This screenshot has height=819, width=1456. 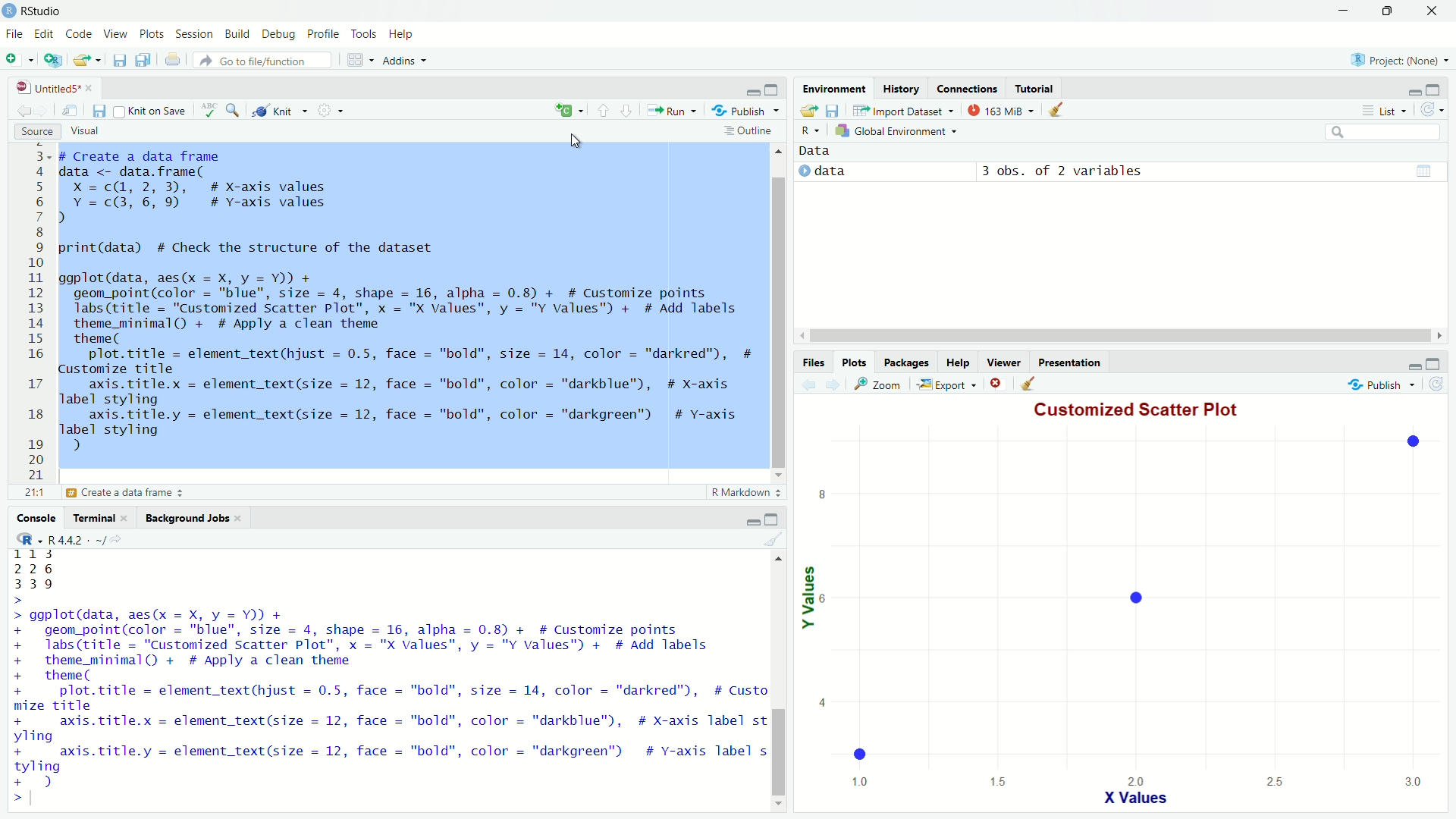 What do you see at coordinates (78, 35) in the screenshot?
I see `Code` at bounding box center [78, 35].